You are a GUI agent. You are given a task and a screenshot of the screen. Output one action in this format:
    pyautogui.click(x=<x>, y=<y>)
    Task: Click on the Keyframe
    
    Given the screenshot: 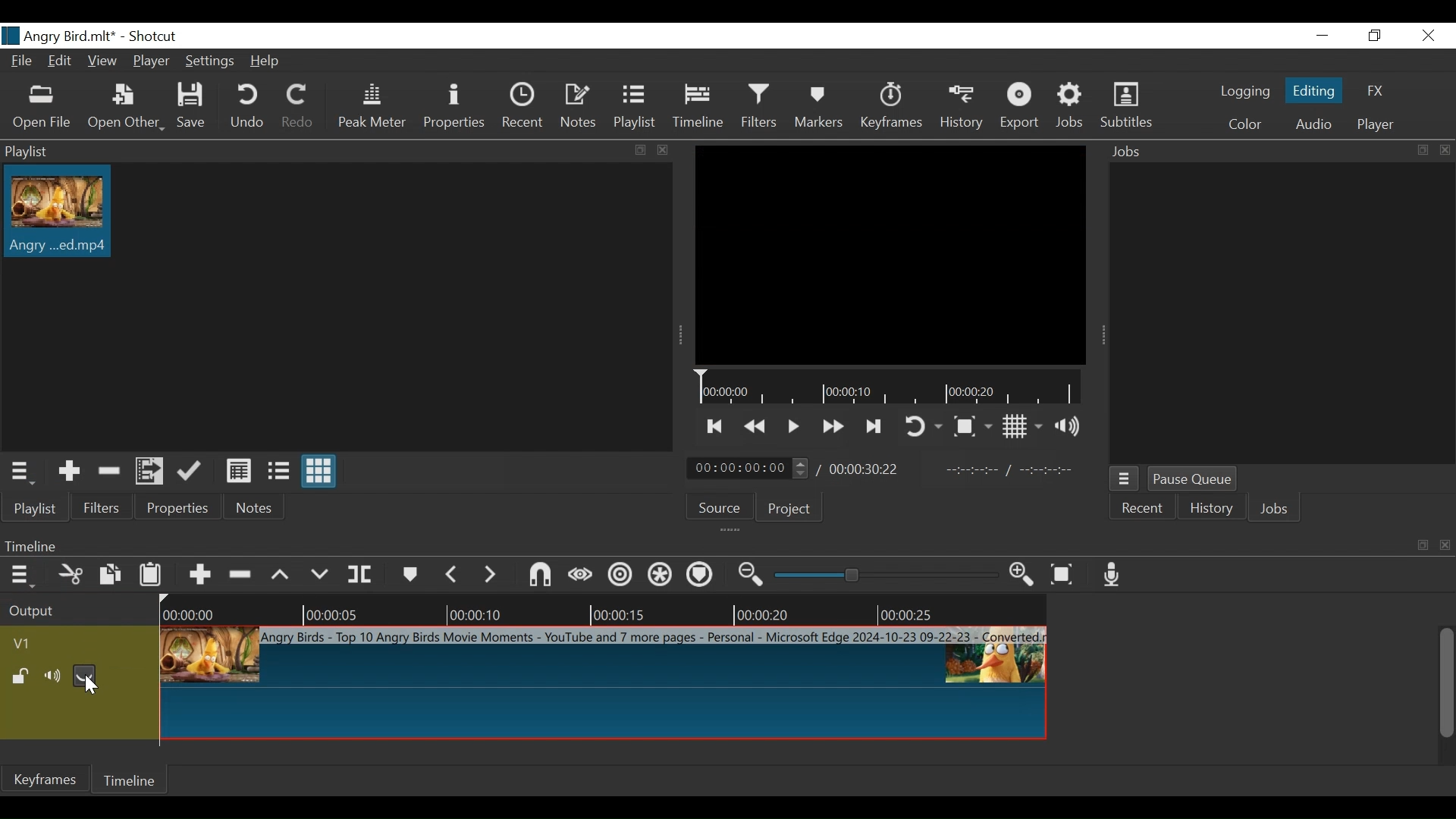 What is the action you would take?
    pyautogui.click(x=44, y=780)
    